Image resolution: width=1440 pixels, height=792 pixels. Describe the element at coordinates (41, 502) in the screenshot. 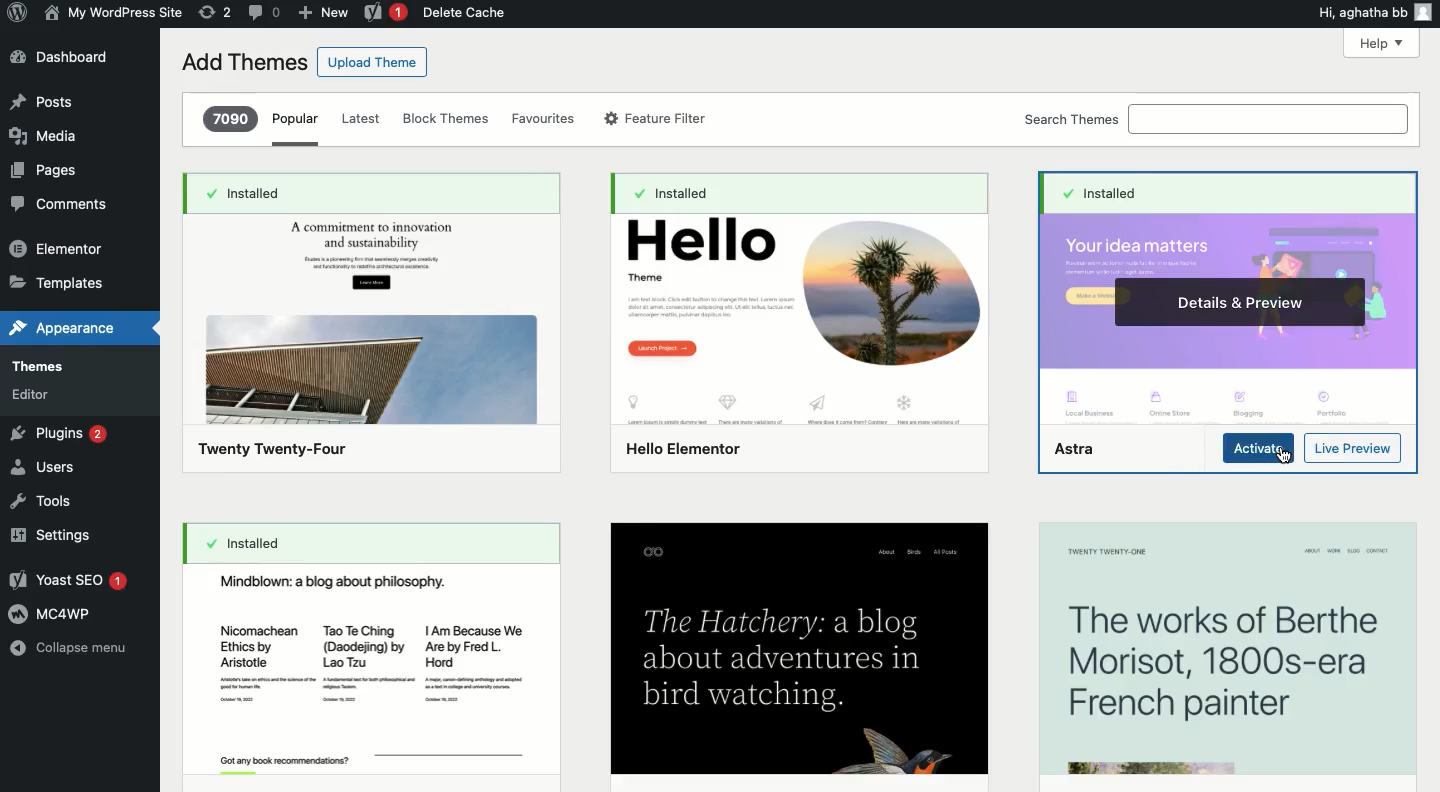

I see `Tools` at that location.